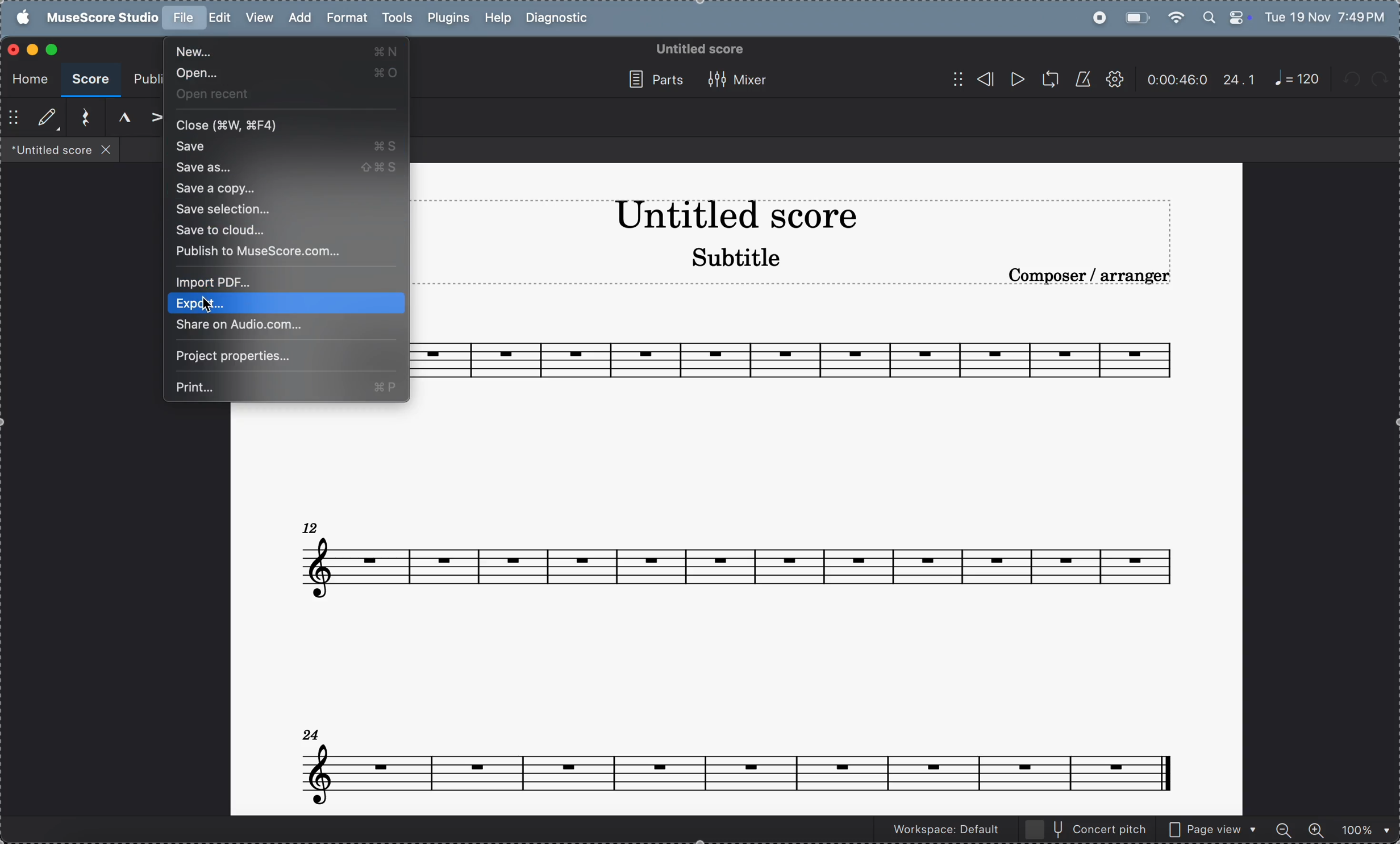  Describe the element at coordinates (14, 50) in the screenshot. I see `closing` at that location.